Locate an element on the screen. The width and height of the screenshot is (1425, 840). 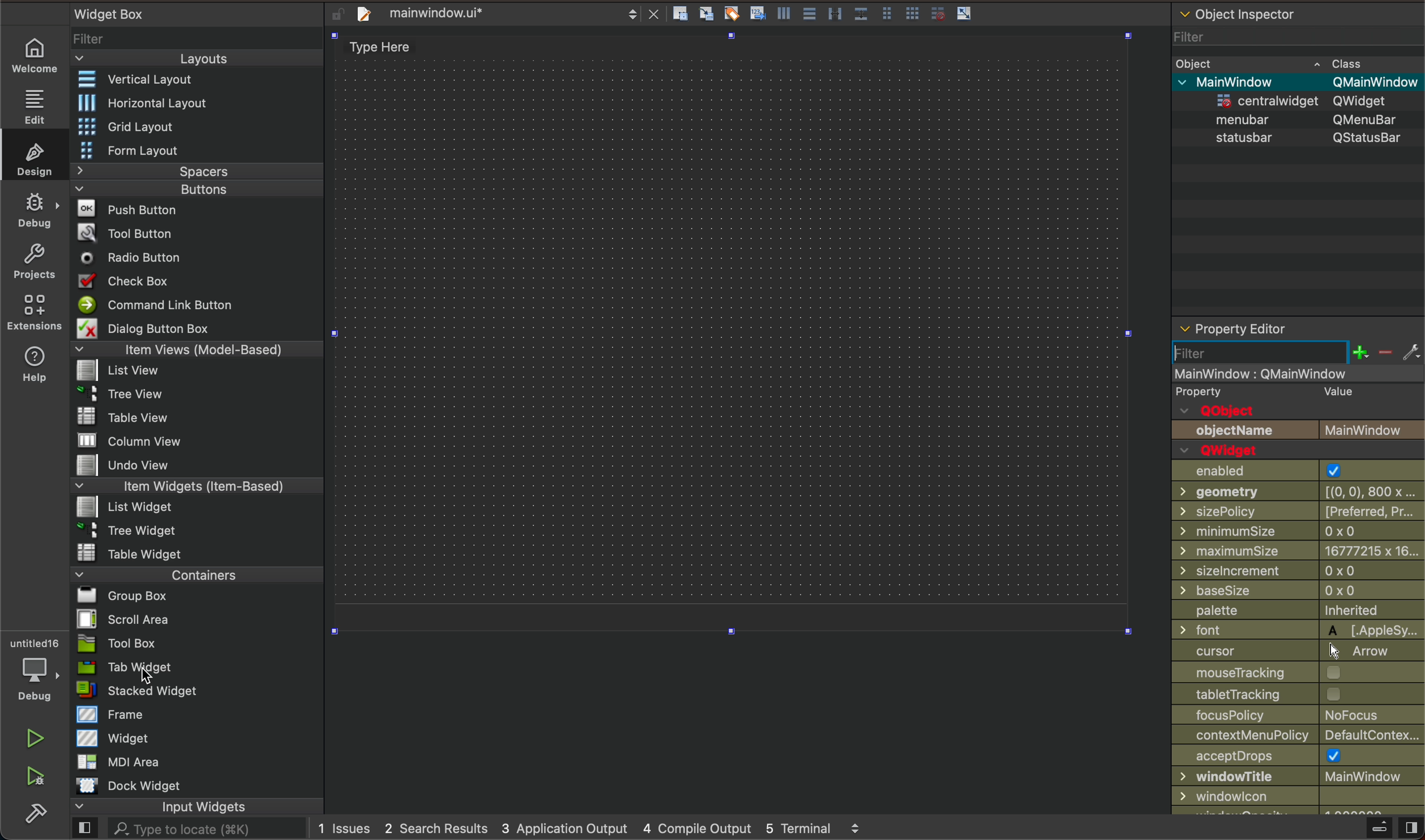
size increment is located at coordinates (1298, 571).